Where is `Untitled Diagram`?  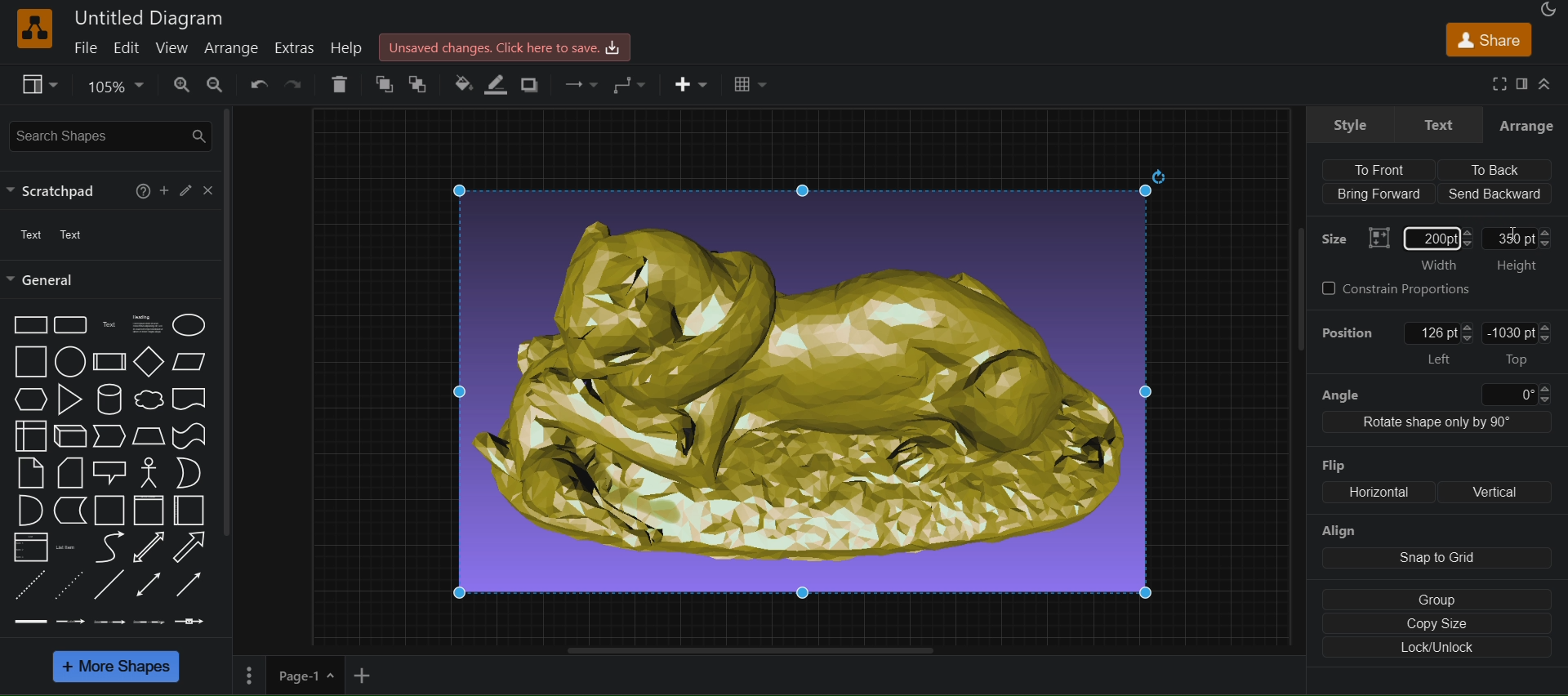
Untitled Diagram is located at coordinates (152, 19).